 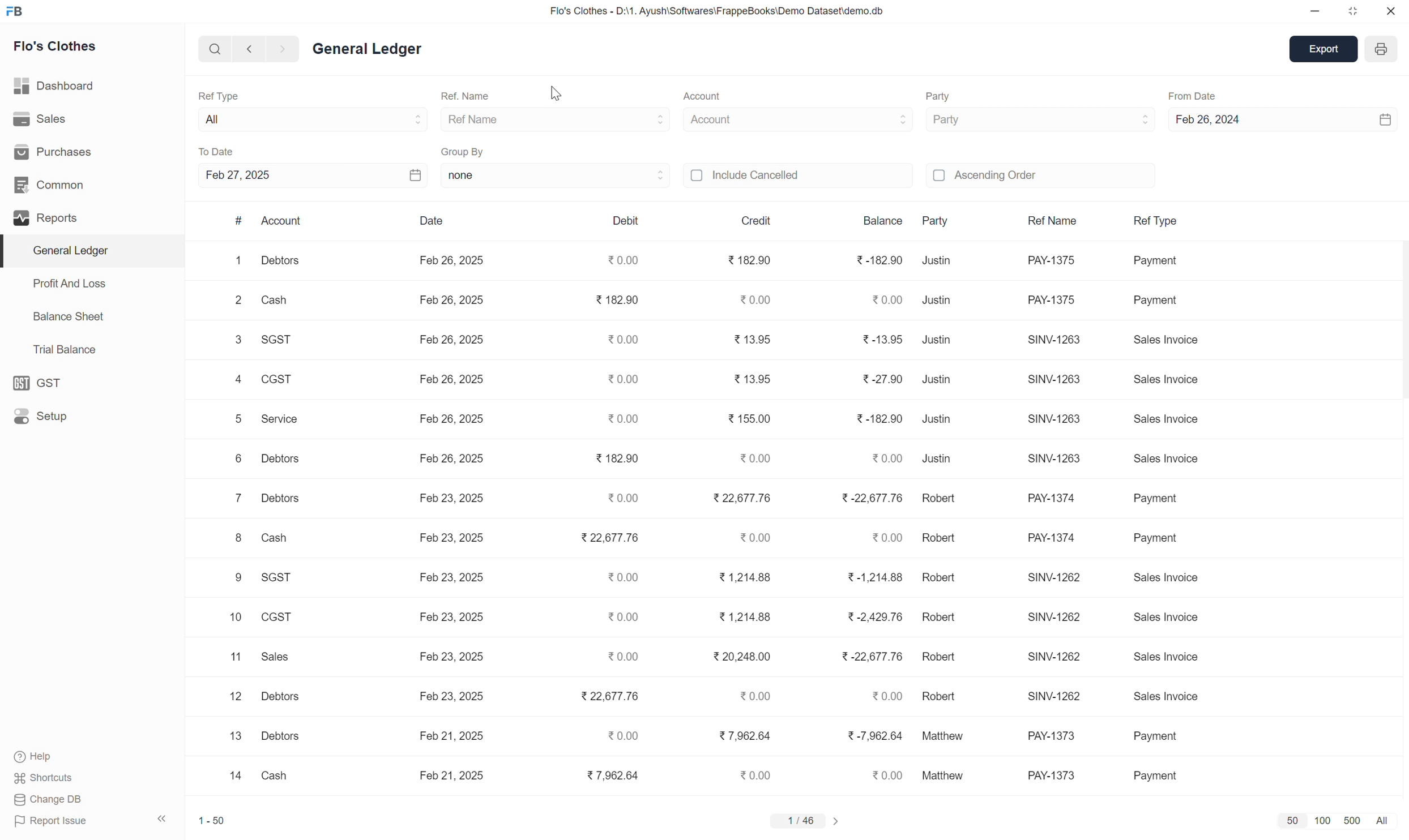 I want to click on 5, so click(x=238, y=419).